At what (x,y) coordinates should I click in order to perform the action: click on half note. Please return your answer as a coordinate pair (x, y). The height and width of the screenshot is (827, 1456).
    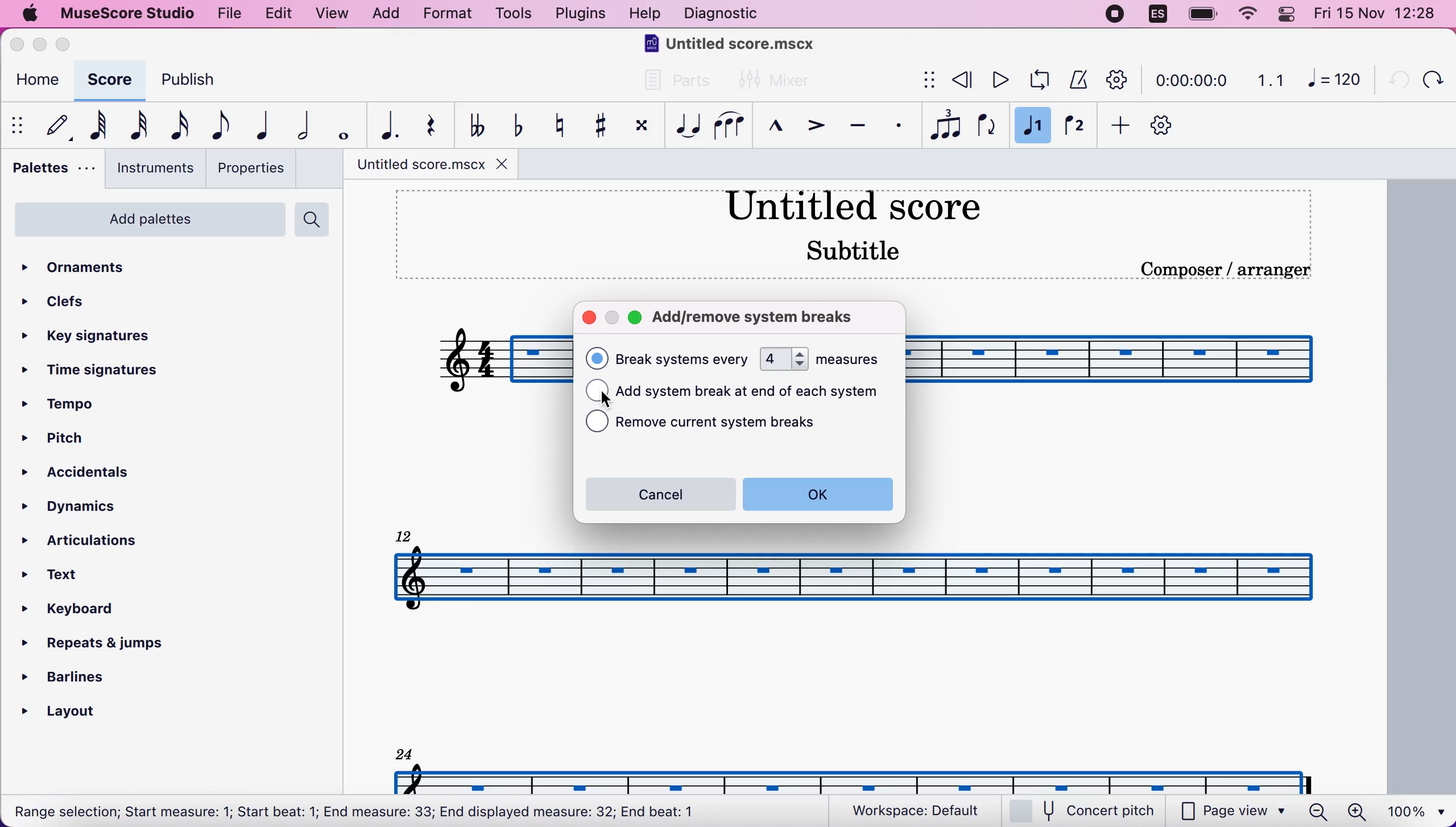
    Looking at the image, I should click on (296, 126).